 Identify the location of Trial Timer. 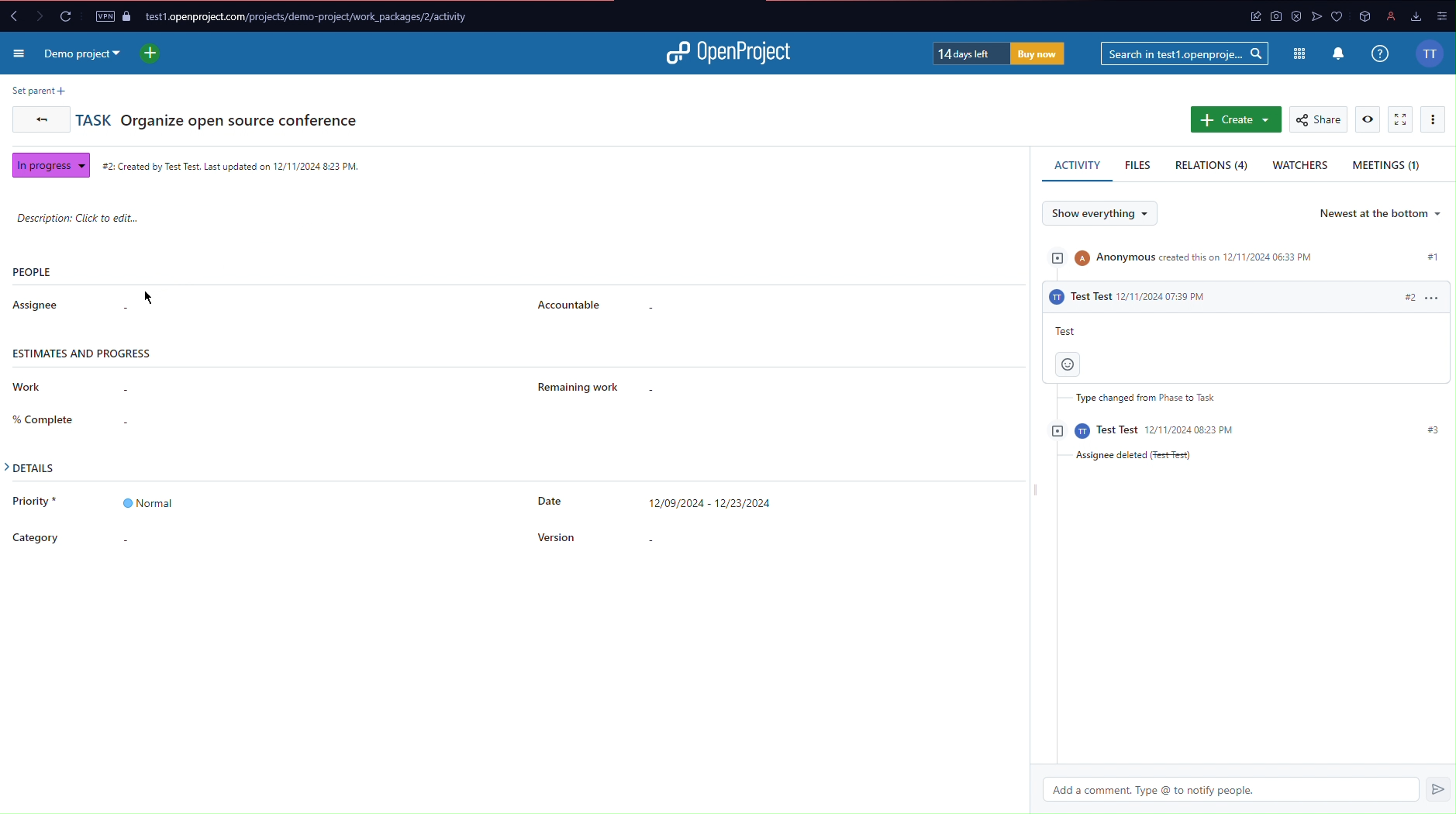
(999, 52).